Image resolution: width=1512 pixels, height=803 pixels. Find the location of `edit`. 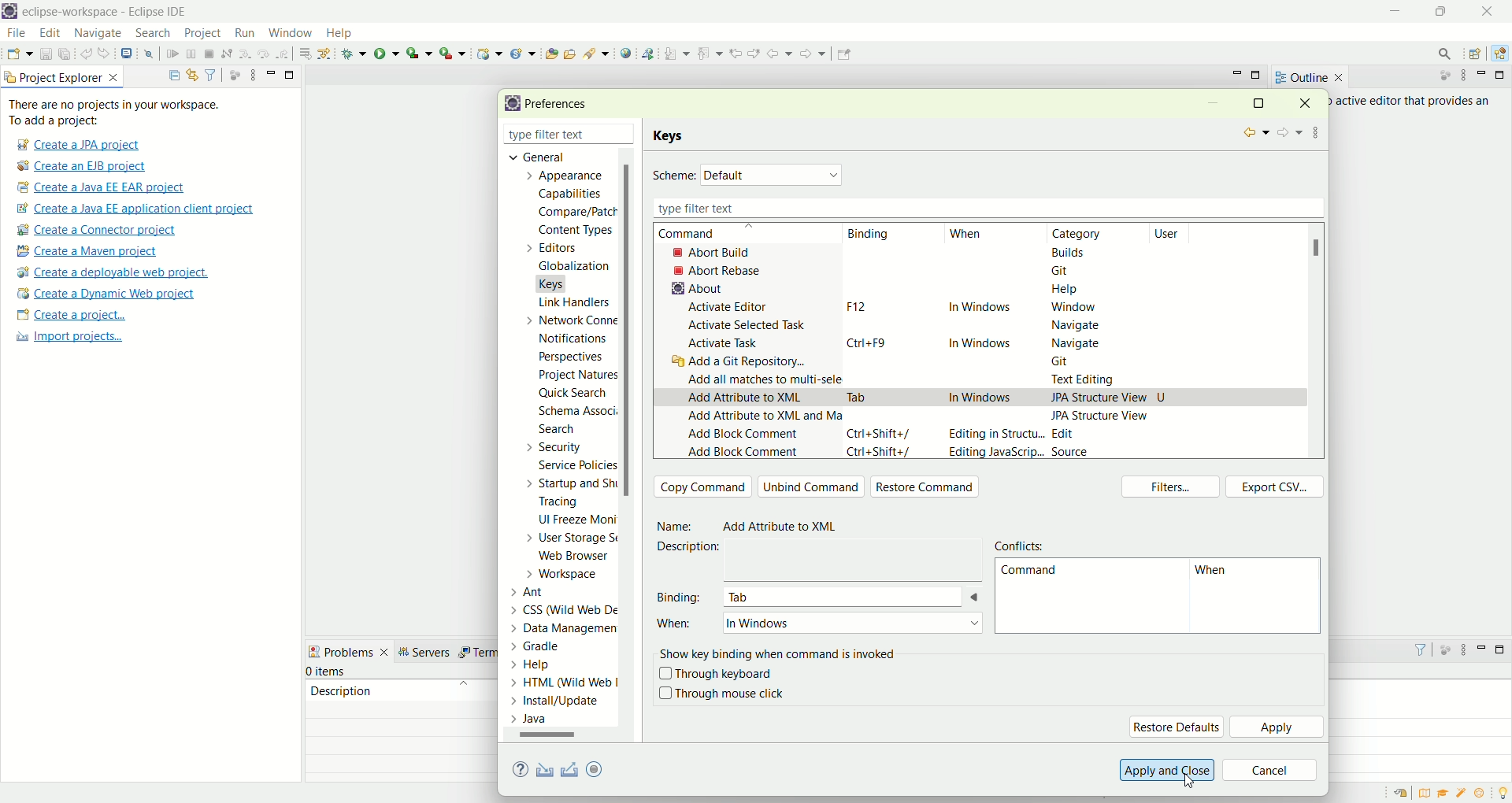

edit is located at coordinates (48, 34).